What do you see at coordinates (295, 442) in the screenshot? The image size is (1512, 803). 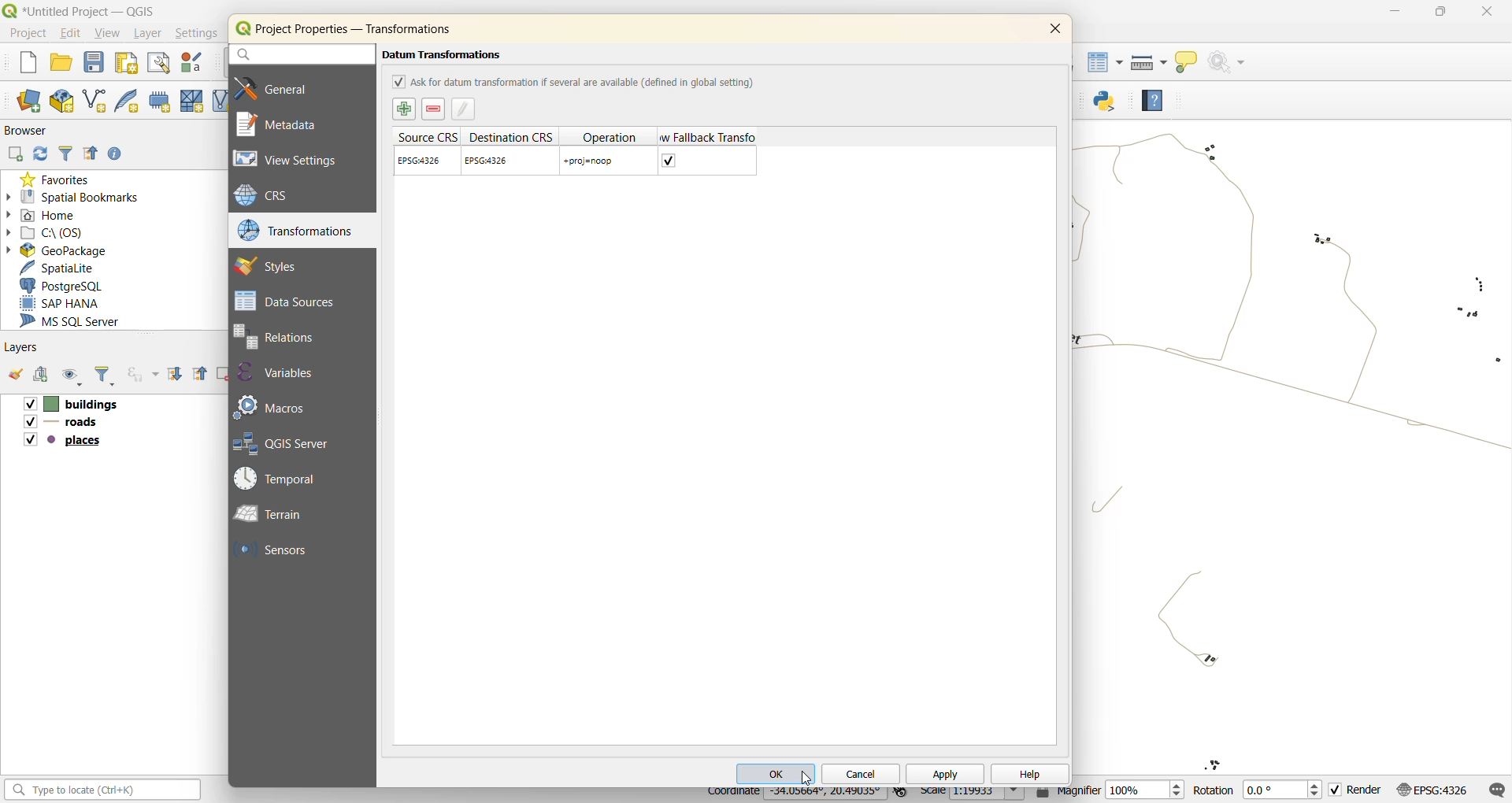 I see `qgis server` at bounding box center [295, 442].